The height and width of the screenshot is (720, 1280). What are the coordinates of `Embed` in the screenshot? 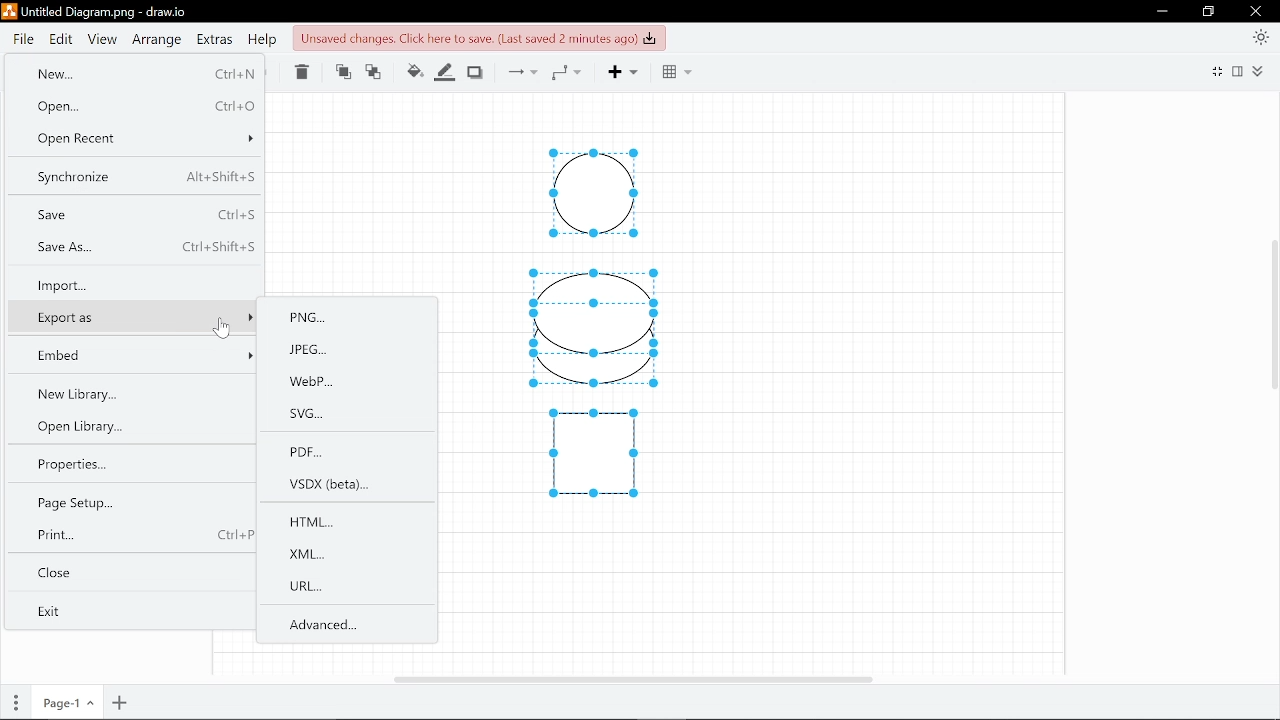 It's located at (135, 356).